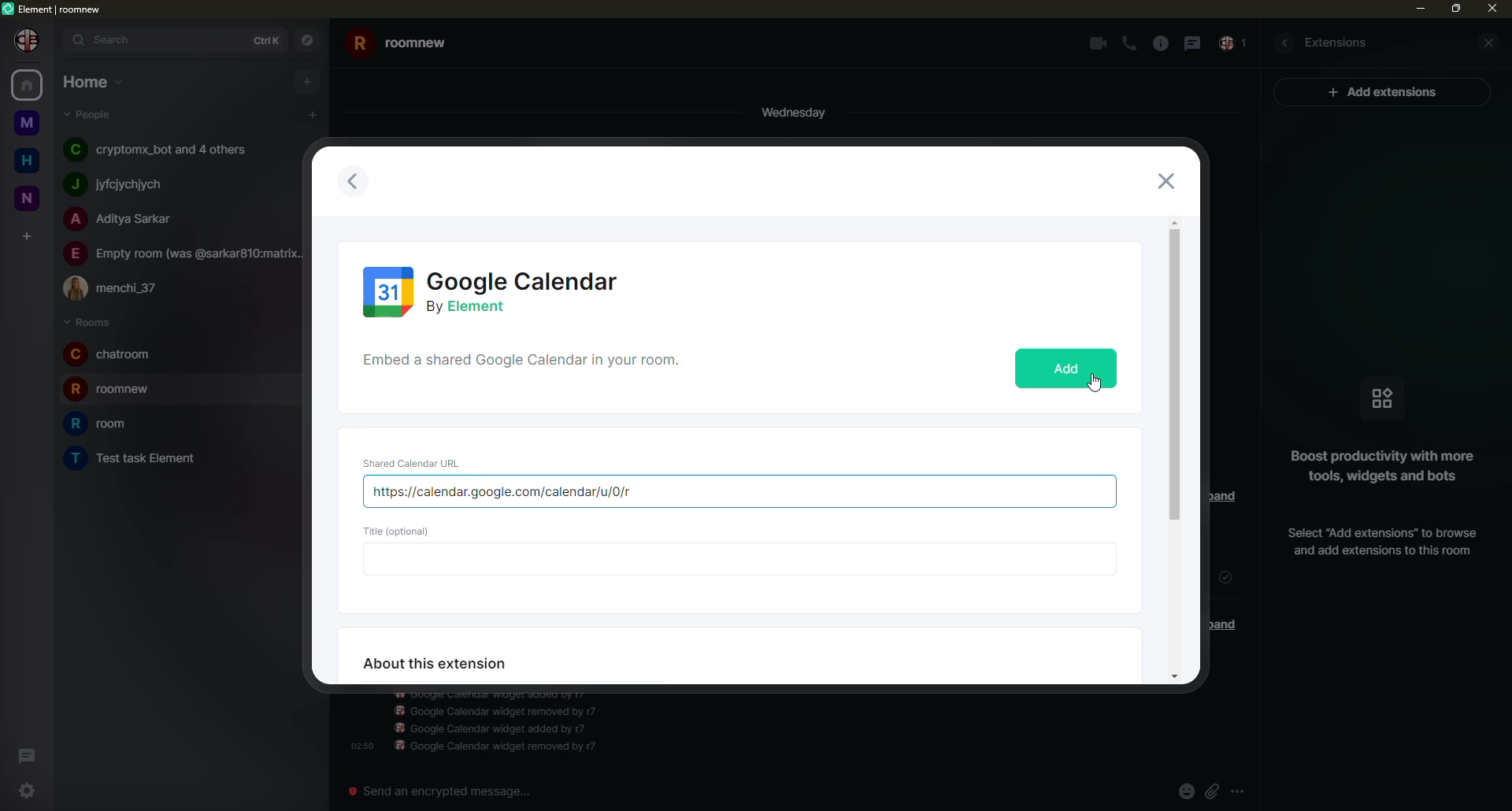  Describe the element at coordinates (31, 794) in the screenshot. I see `settings` at that location.